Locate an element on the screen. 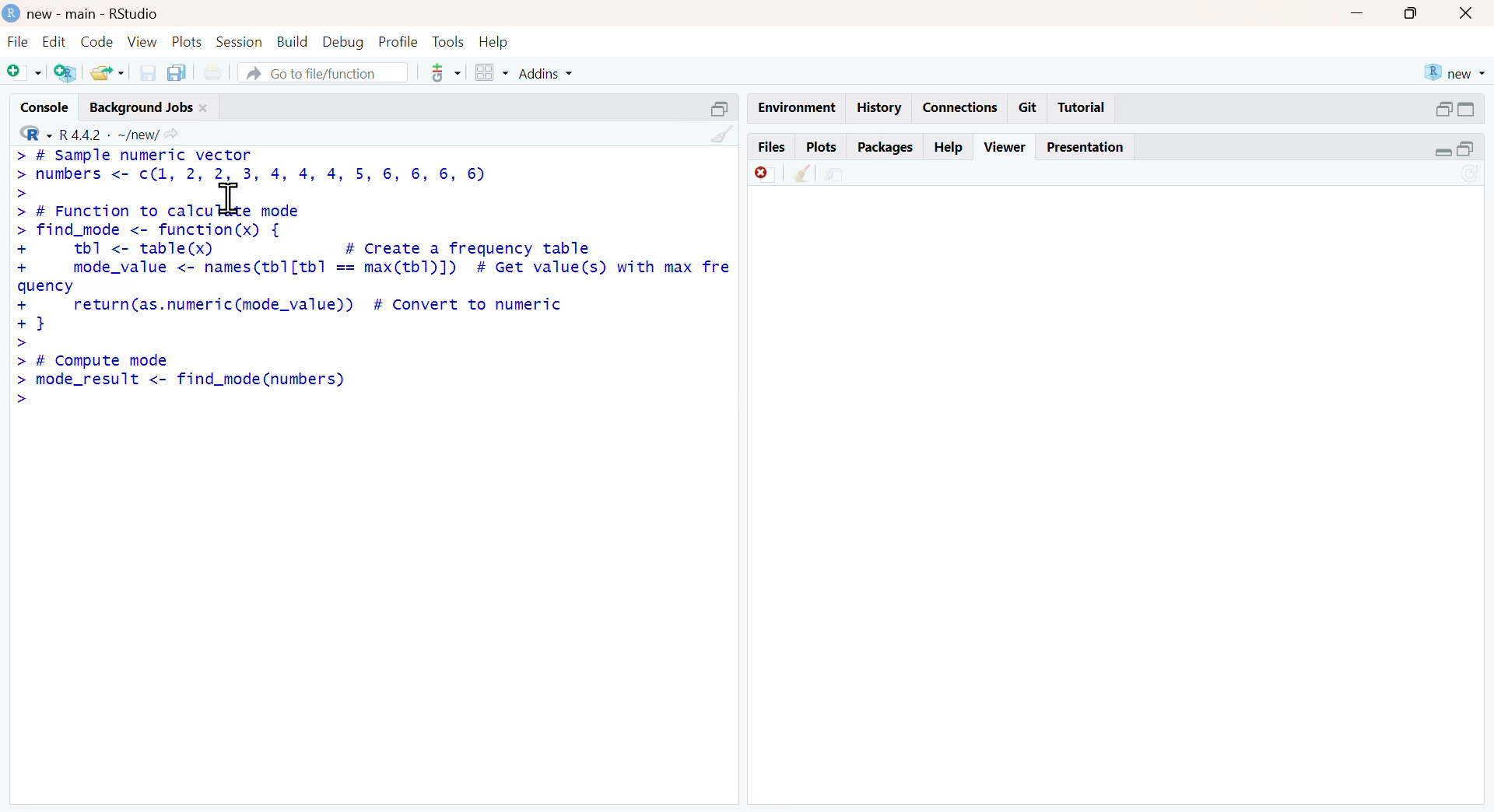  packages is located at coordinates (887, 149).